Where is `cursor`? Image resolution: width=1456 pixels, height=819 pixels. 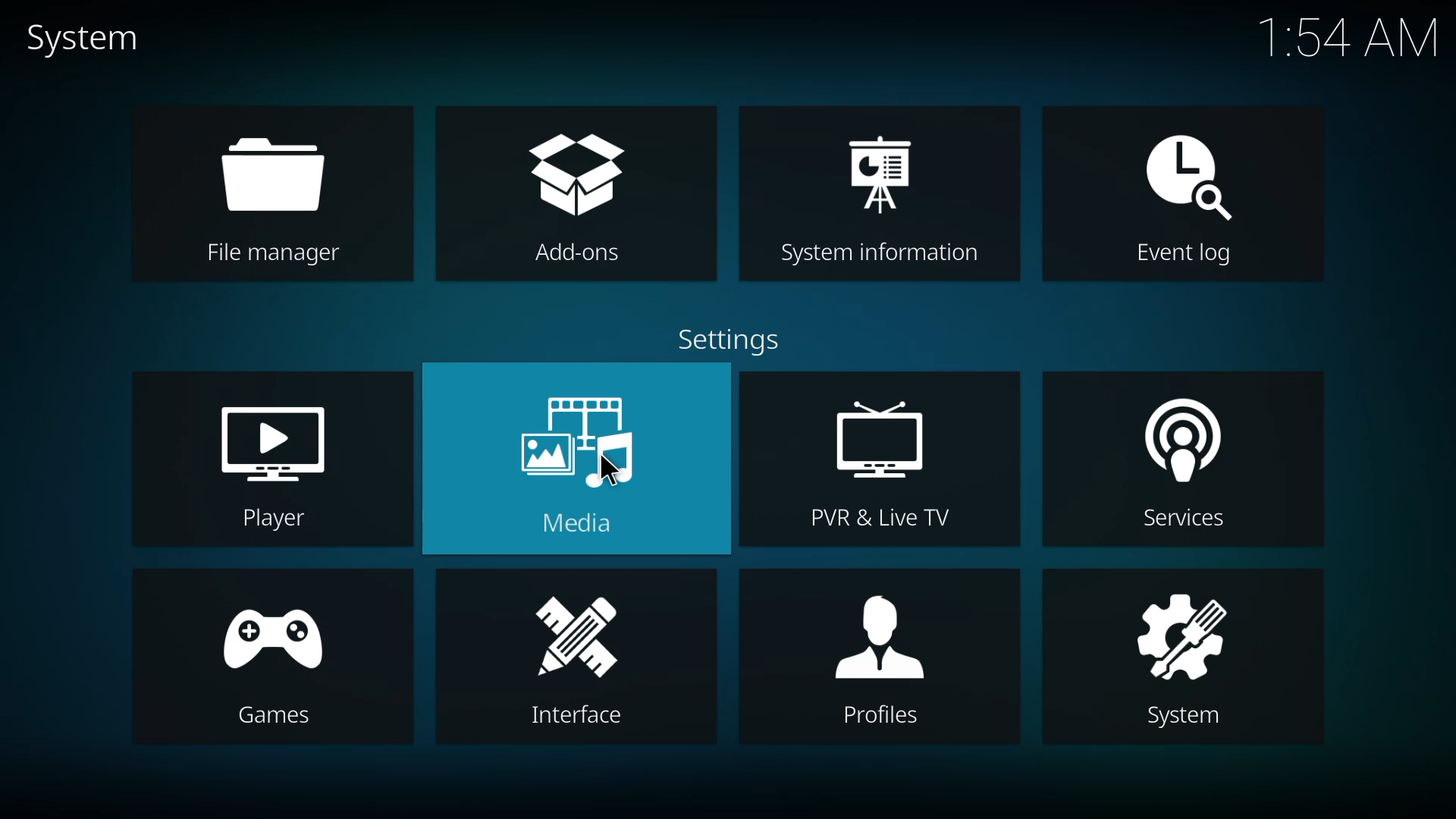
cursor is located at coordinates (608, 471).